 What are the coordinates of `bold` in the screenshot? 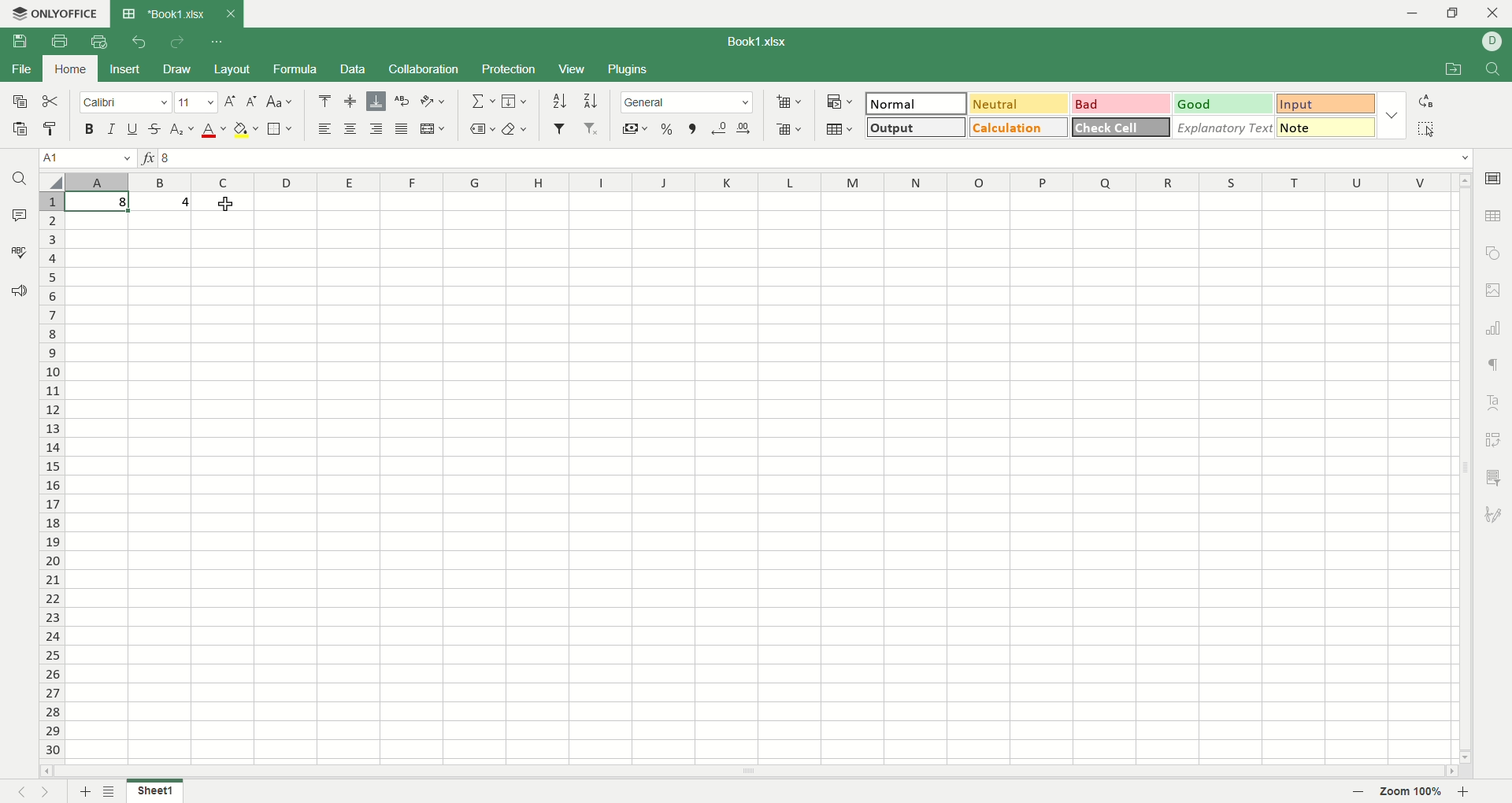 It's located at (89, 128).